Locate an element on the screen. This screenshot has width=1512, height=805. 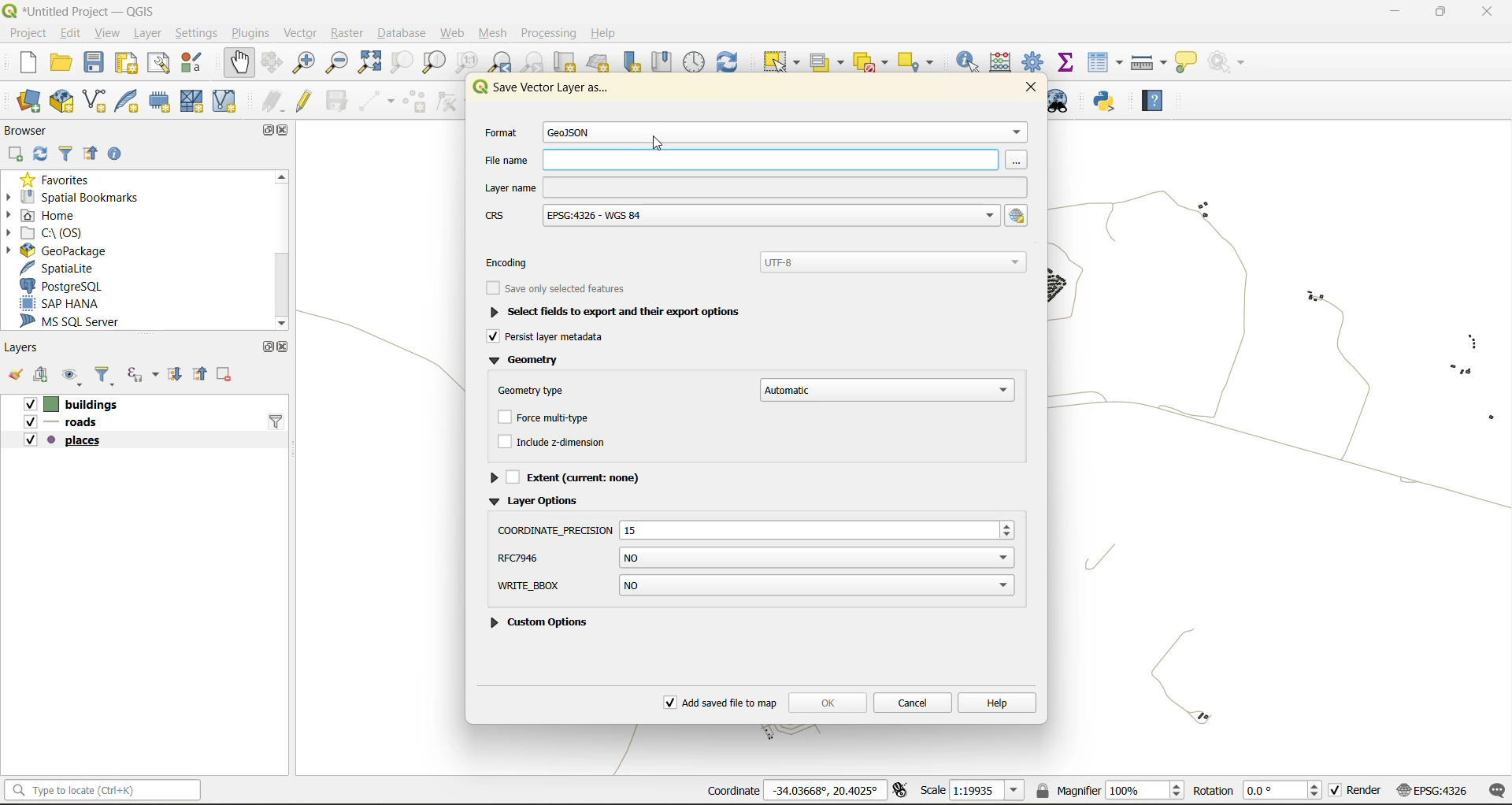
database is located at coordinates (406, 32).